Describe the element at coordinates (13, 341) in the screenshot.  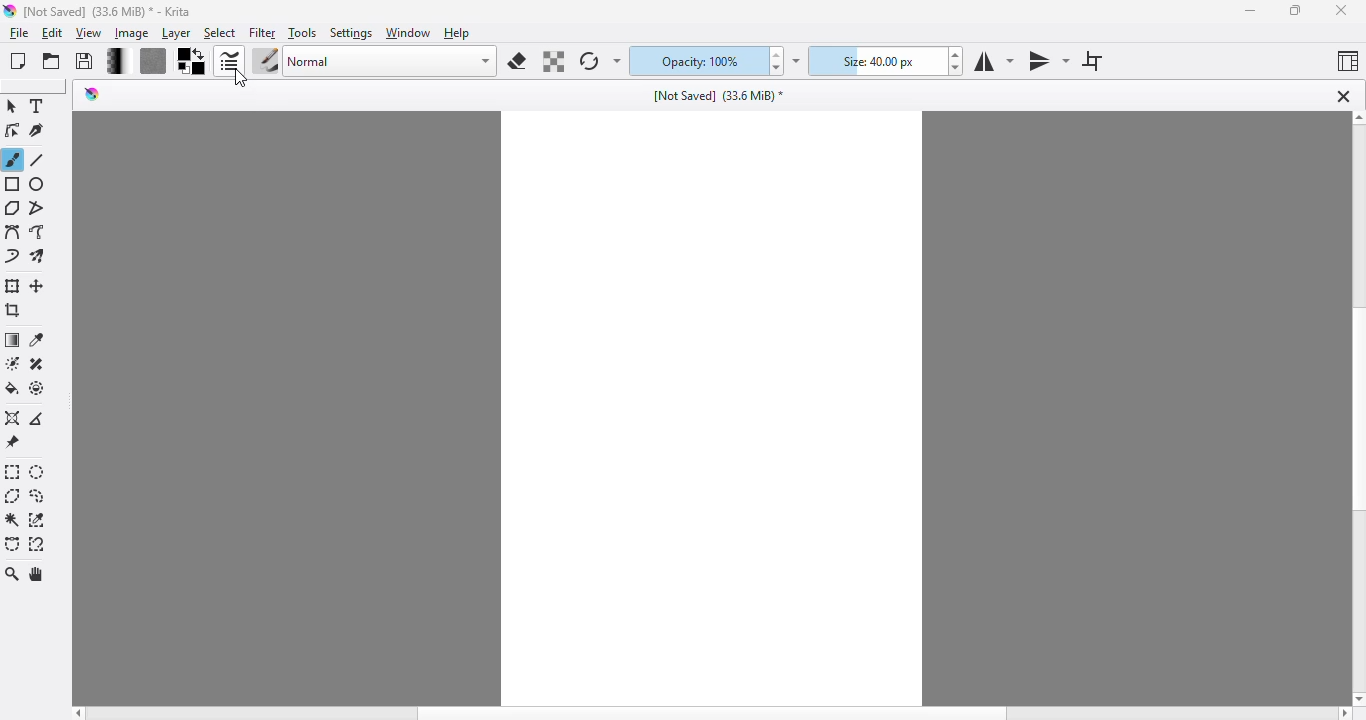
I see `draw a gradient` at that location.